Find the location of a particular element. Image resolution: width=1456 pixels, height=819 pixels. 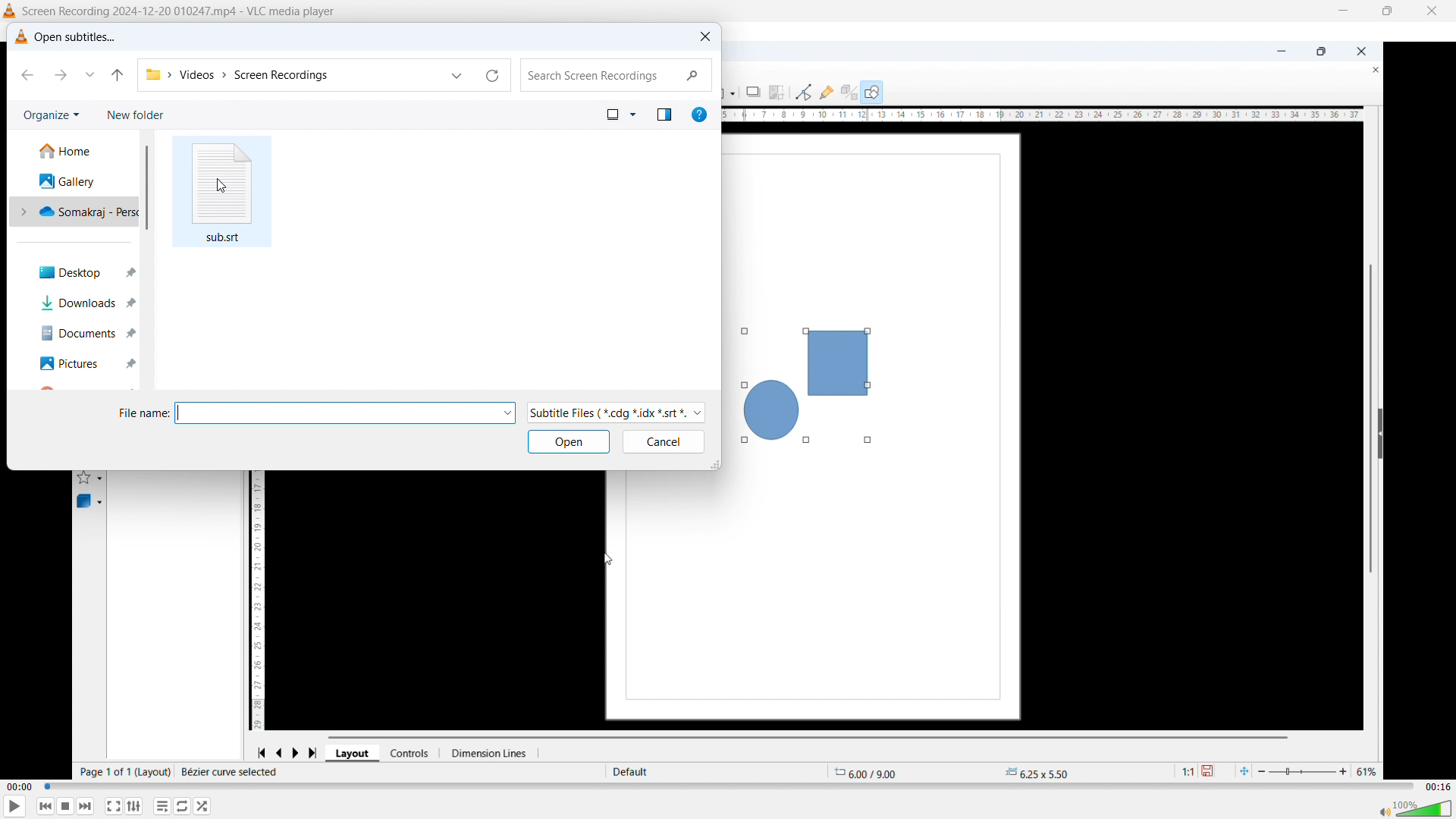

Video duration  is located at coordinates (1437, 787).